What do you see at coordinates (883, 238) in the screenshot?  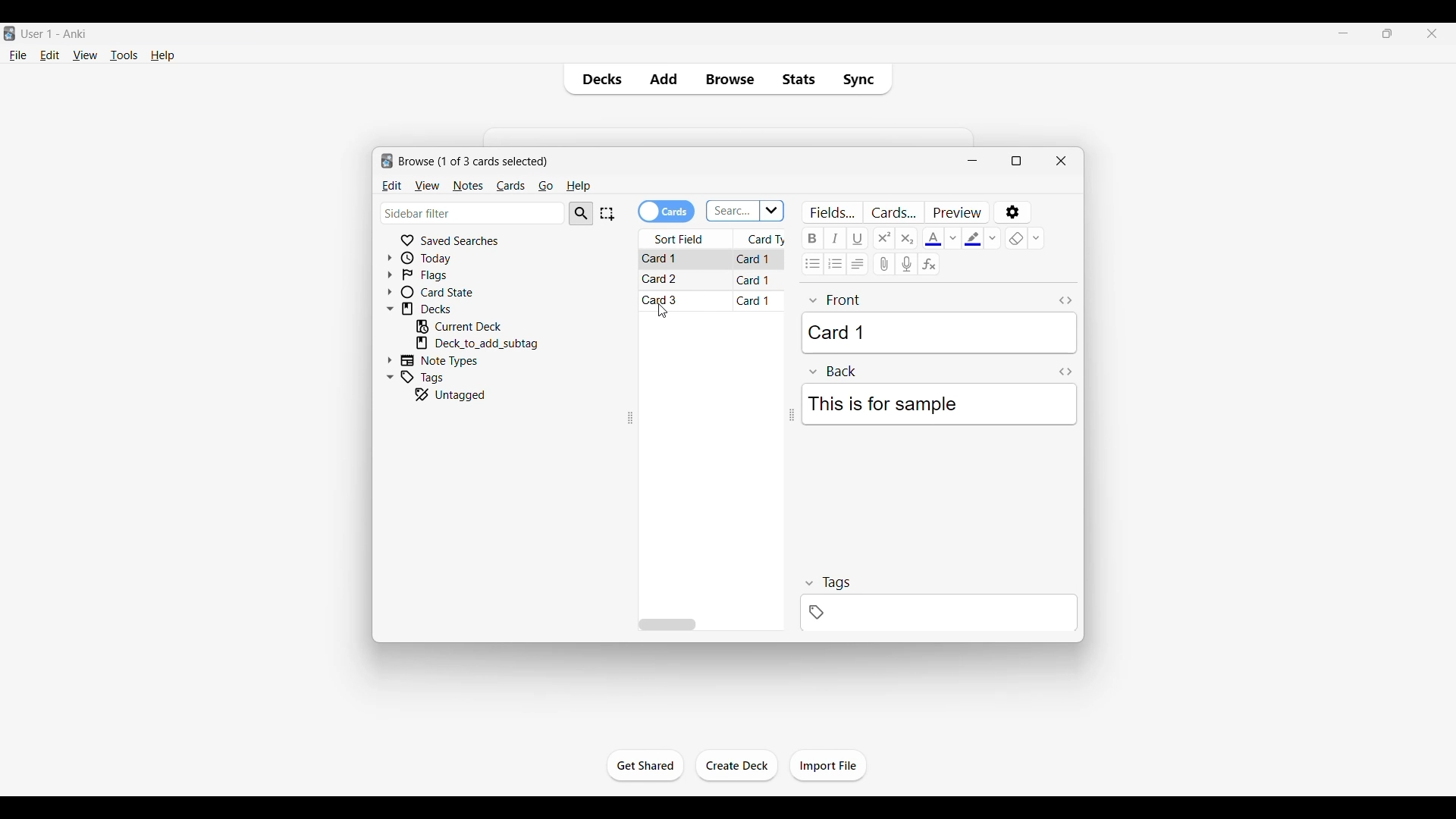 I see `Superscript` at bounding box center [883, 238].